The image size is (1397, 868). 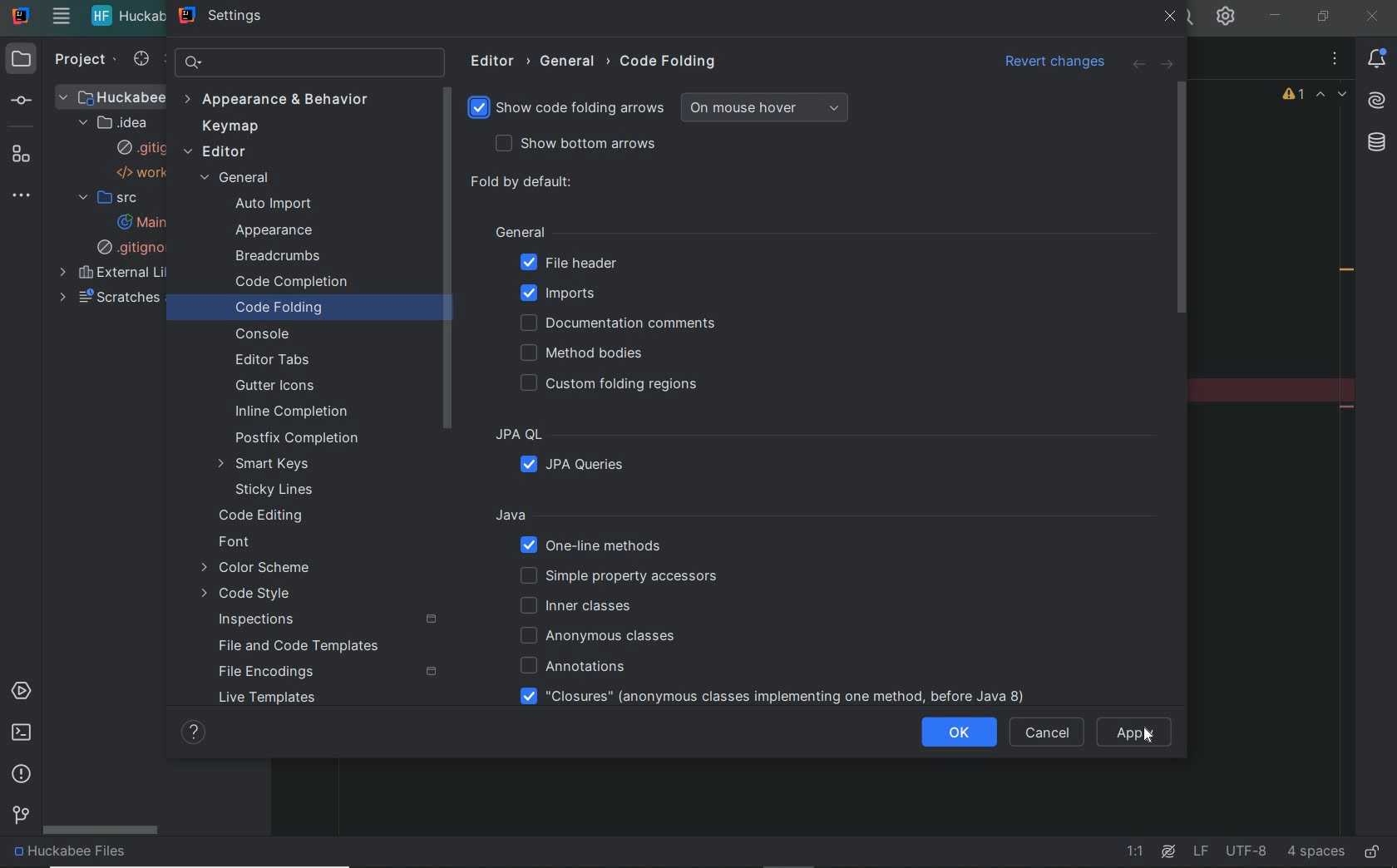 I want to click on appearance, so click(x=279, y=230).